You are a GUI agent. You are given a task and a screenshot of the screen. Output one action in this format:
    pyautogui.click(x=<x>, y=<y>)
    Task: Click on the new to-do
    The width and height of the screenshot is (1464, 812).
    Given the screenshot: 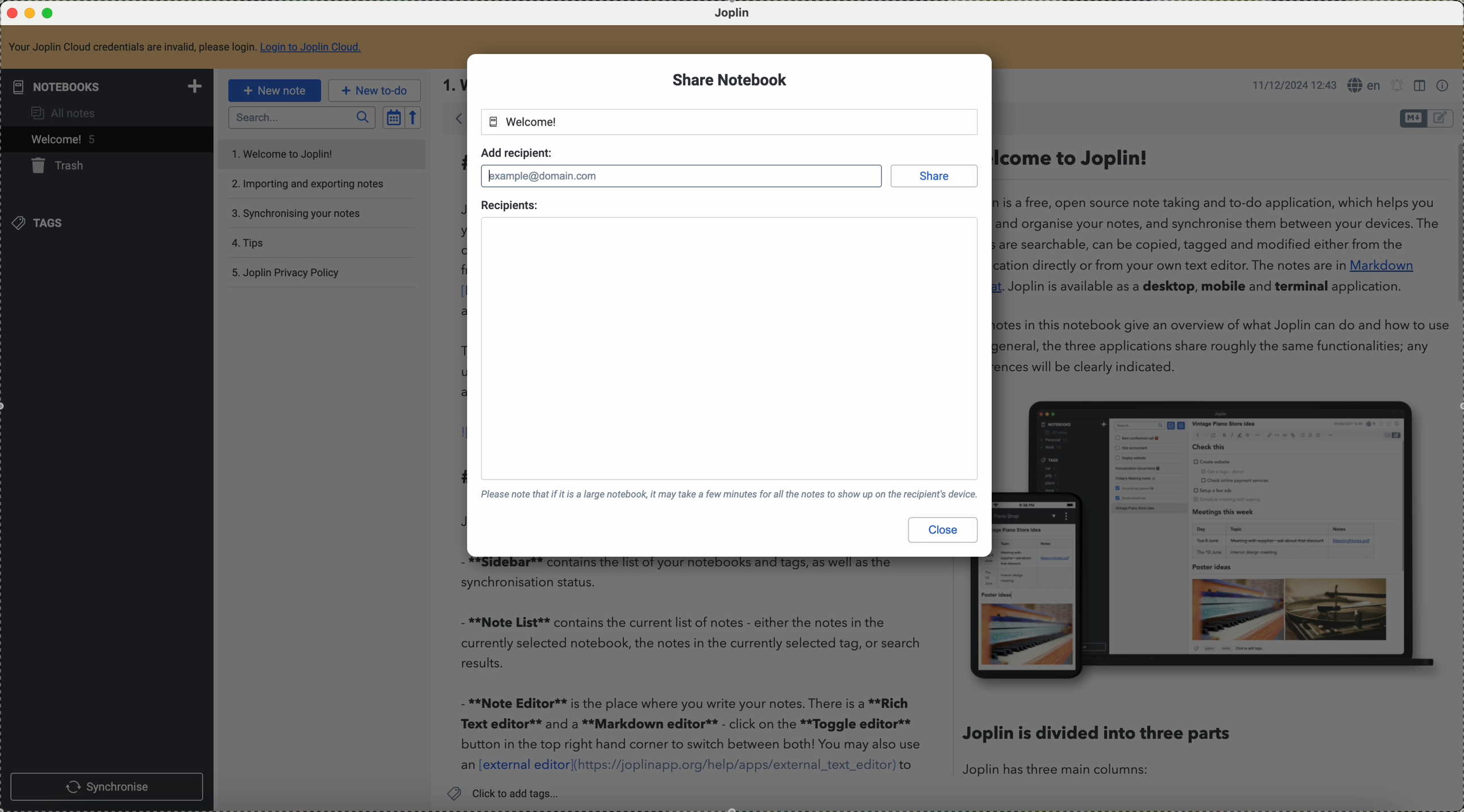 What is the action you would take?
    pyautogui.click(x=375, y=90)
    